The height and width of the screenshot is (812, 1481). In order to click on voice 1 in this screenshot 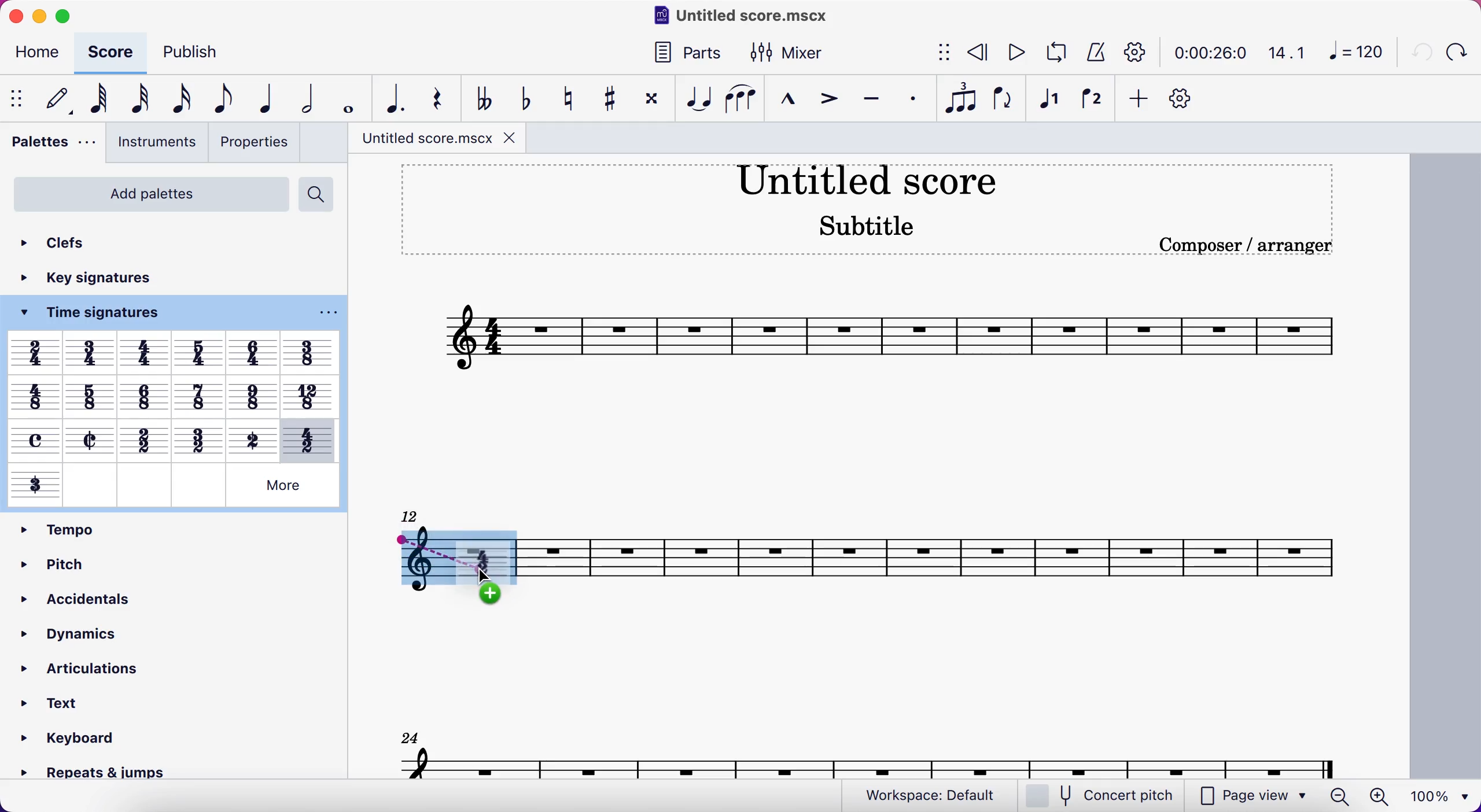, I will do `click(1047, 98)`.